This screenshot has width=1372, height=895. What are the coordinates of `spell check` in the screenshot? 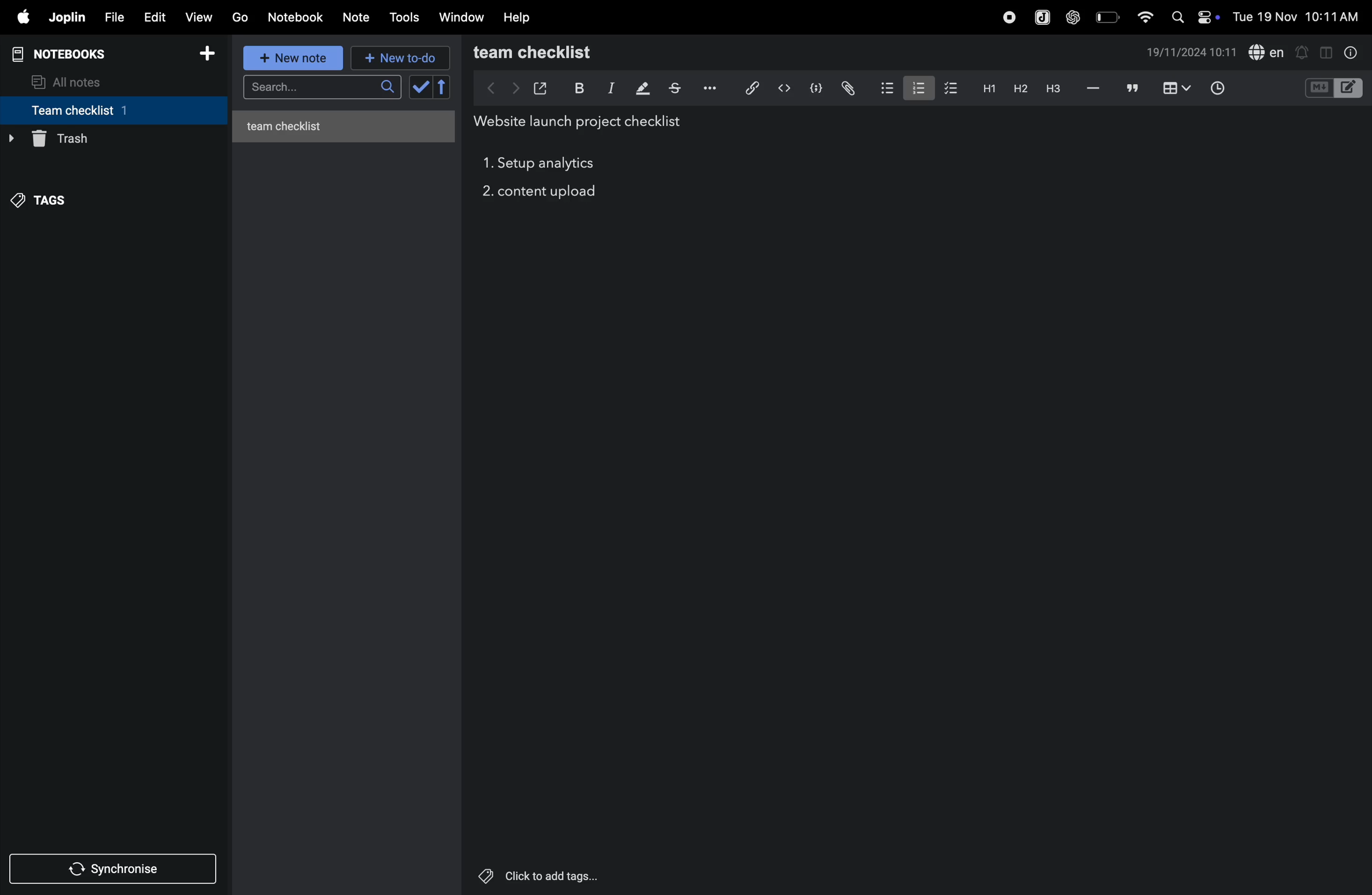 It's located at (1268, 52).